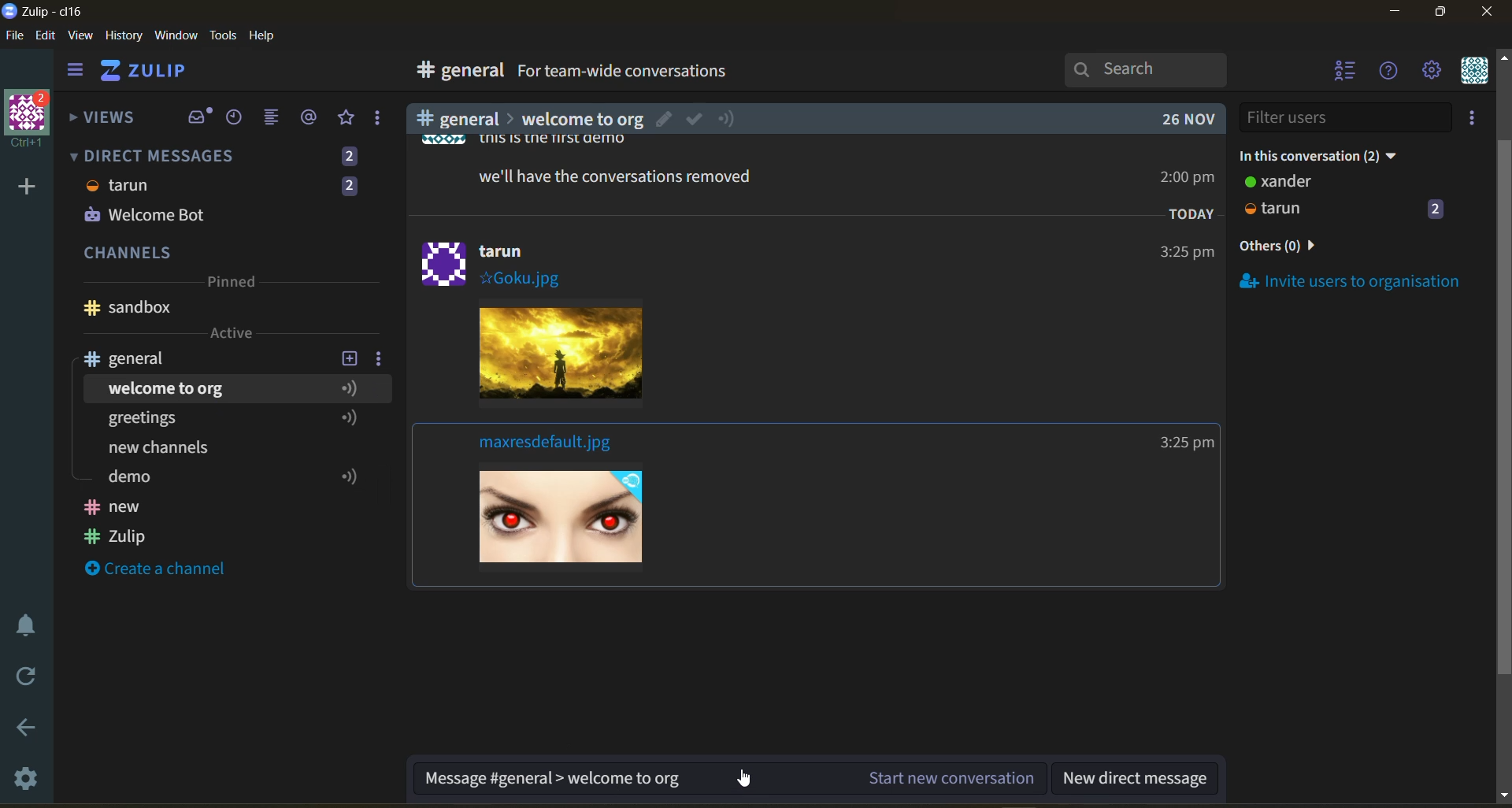  I want to click on , so click(1183, 252).